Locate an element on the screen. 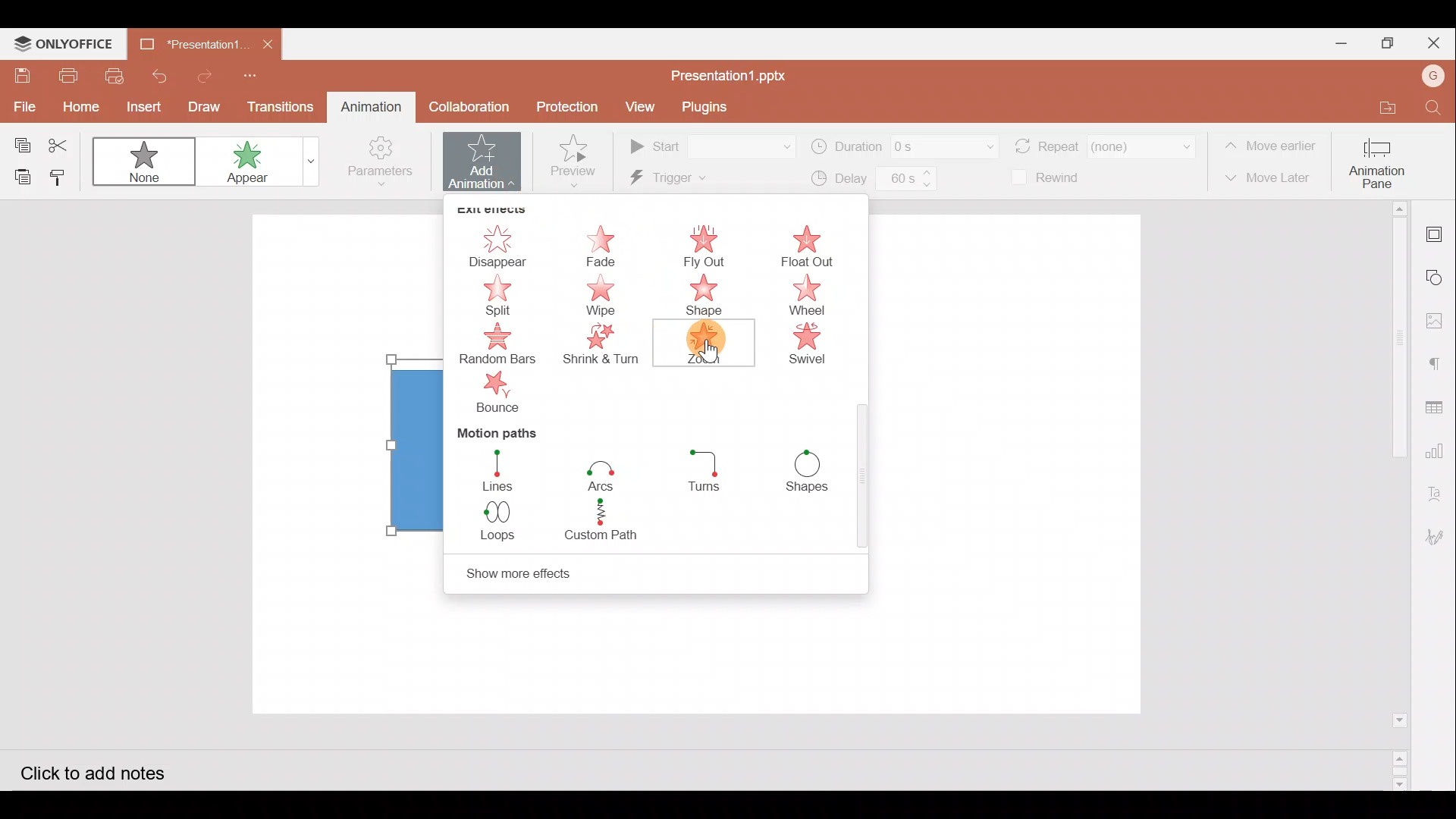  Shapes settings is located at coordinates (1438, 279).